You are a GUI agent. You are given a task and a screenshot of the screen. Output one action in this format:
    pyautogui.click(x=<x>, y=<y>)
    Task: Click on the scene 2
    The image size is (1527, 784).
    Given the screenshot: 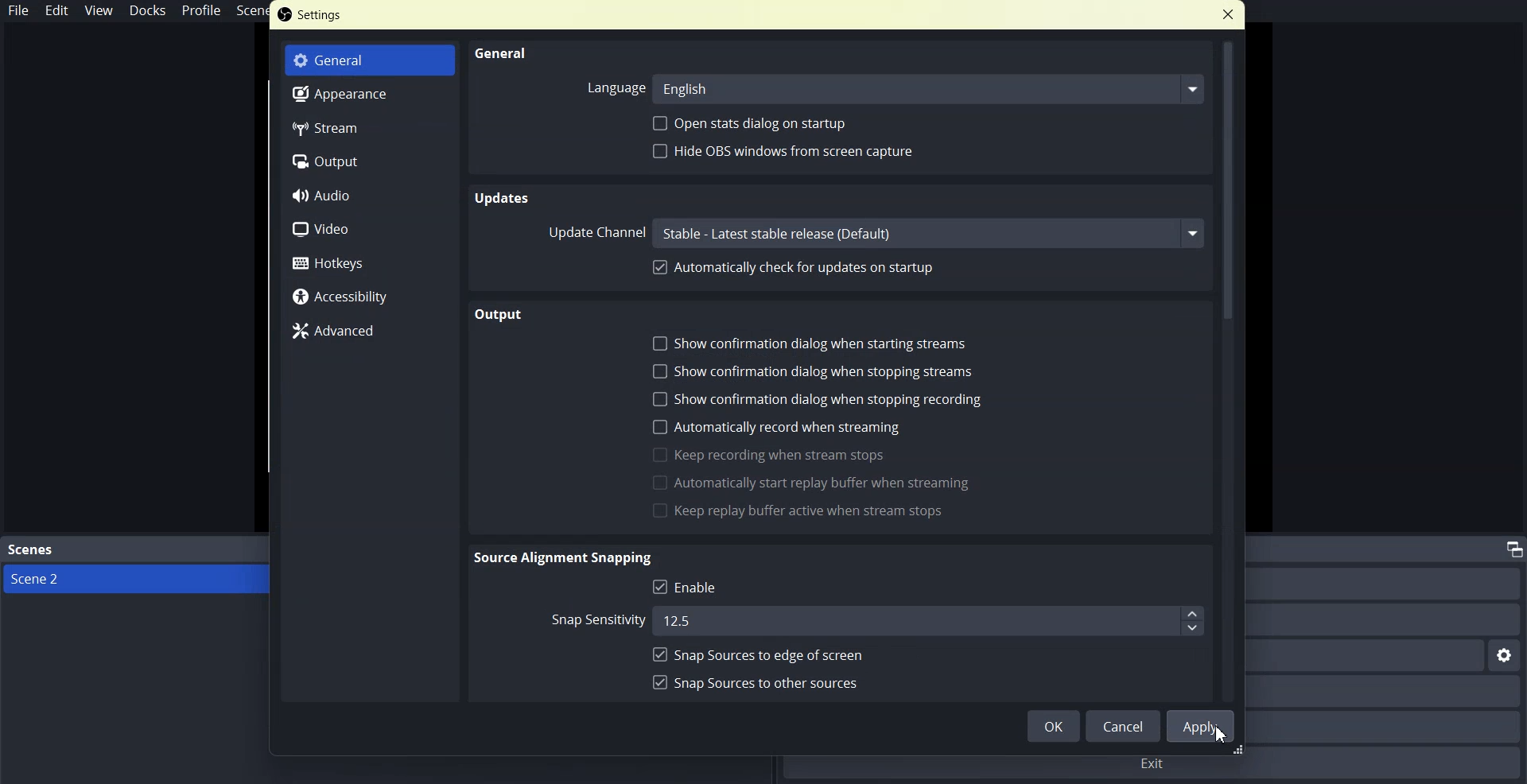 What is the action you would take?
    pyautogui.click(x=45, y=580)
    